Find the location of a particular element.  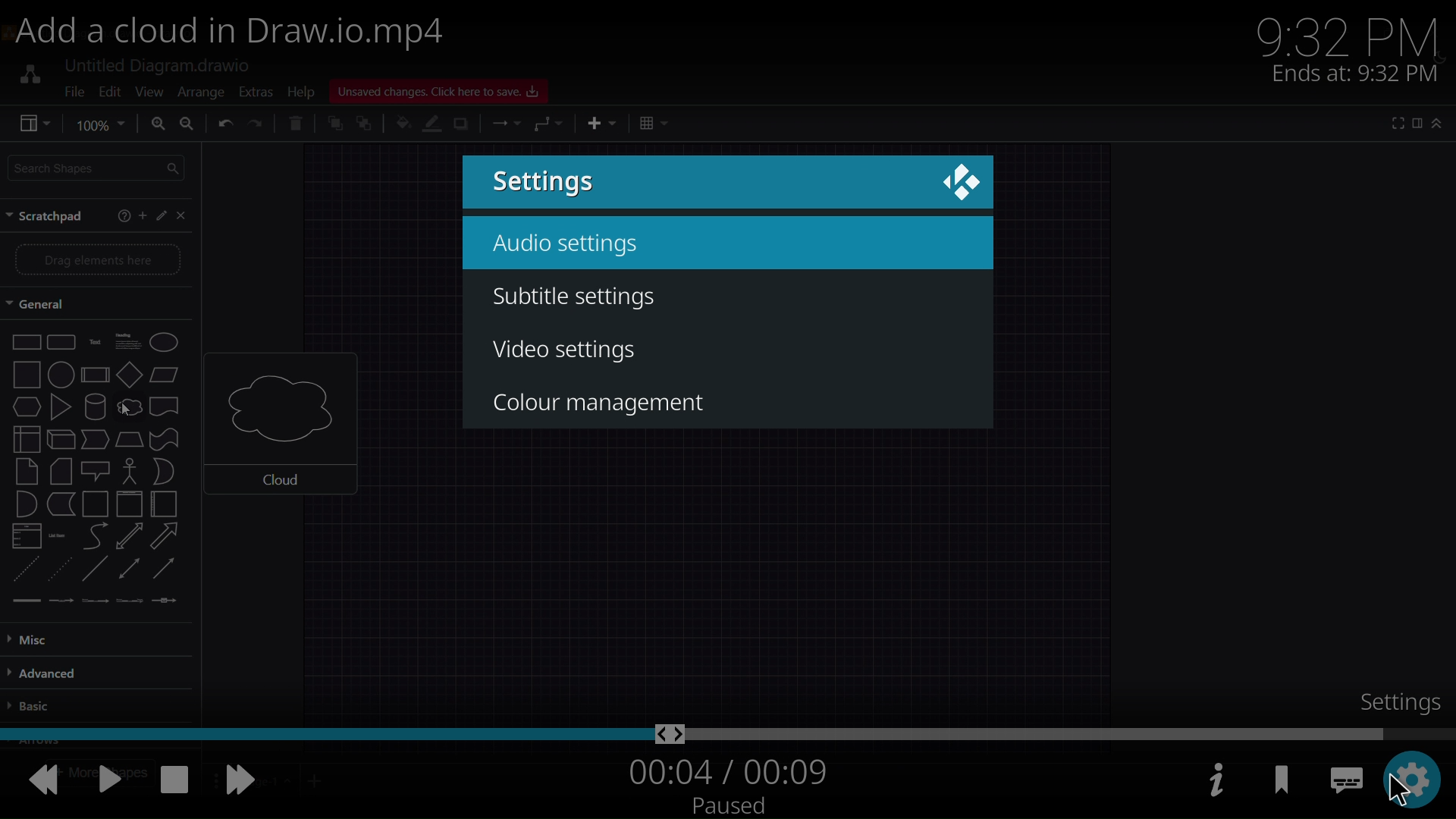

pause is located at coordinates (112, 777).